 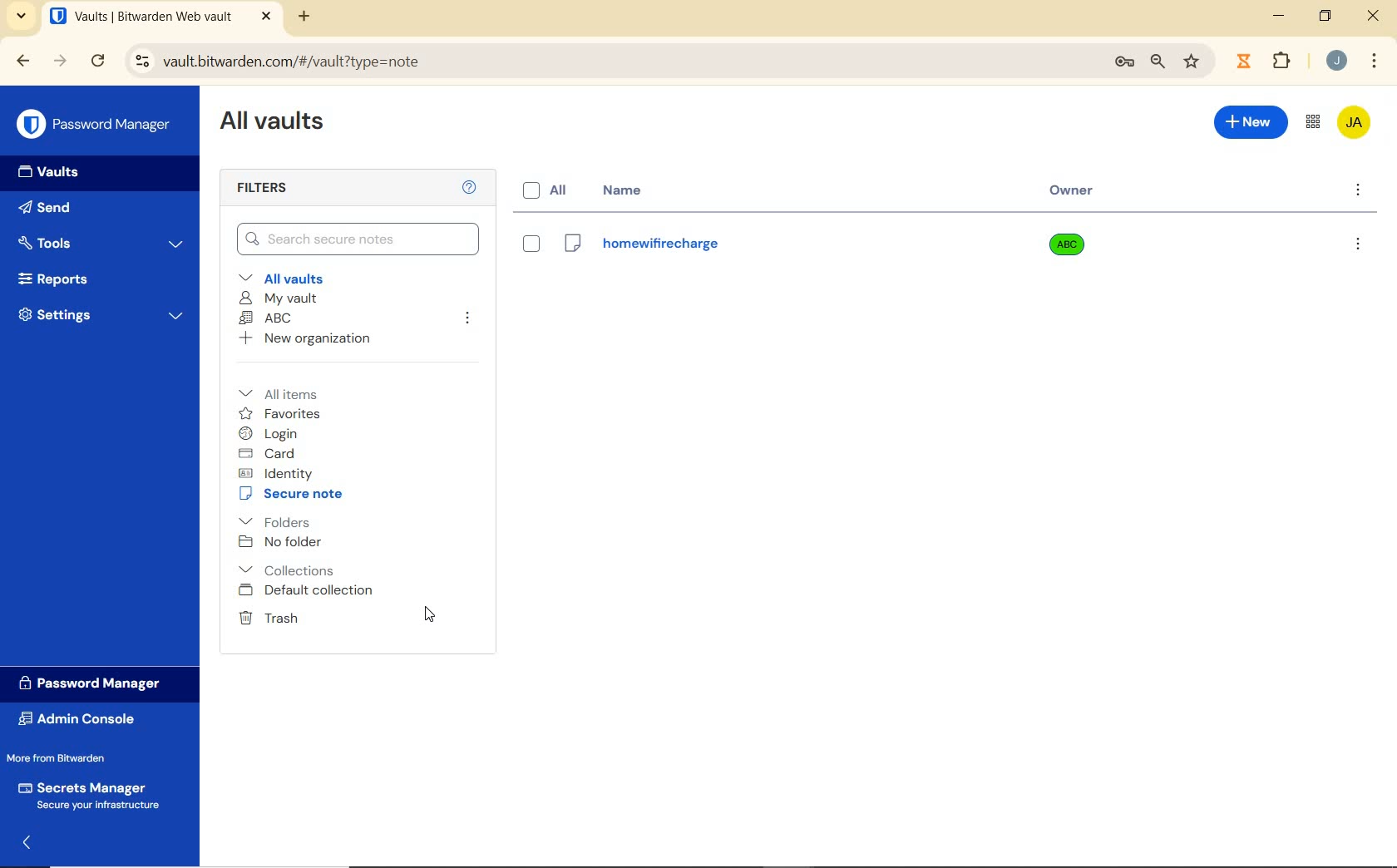 What do you see at coordinates (306, 338) in the screenshot?
I see `New organization` at bounding box center [306, 338].